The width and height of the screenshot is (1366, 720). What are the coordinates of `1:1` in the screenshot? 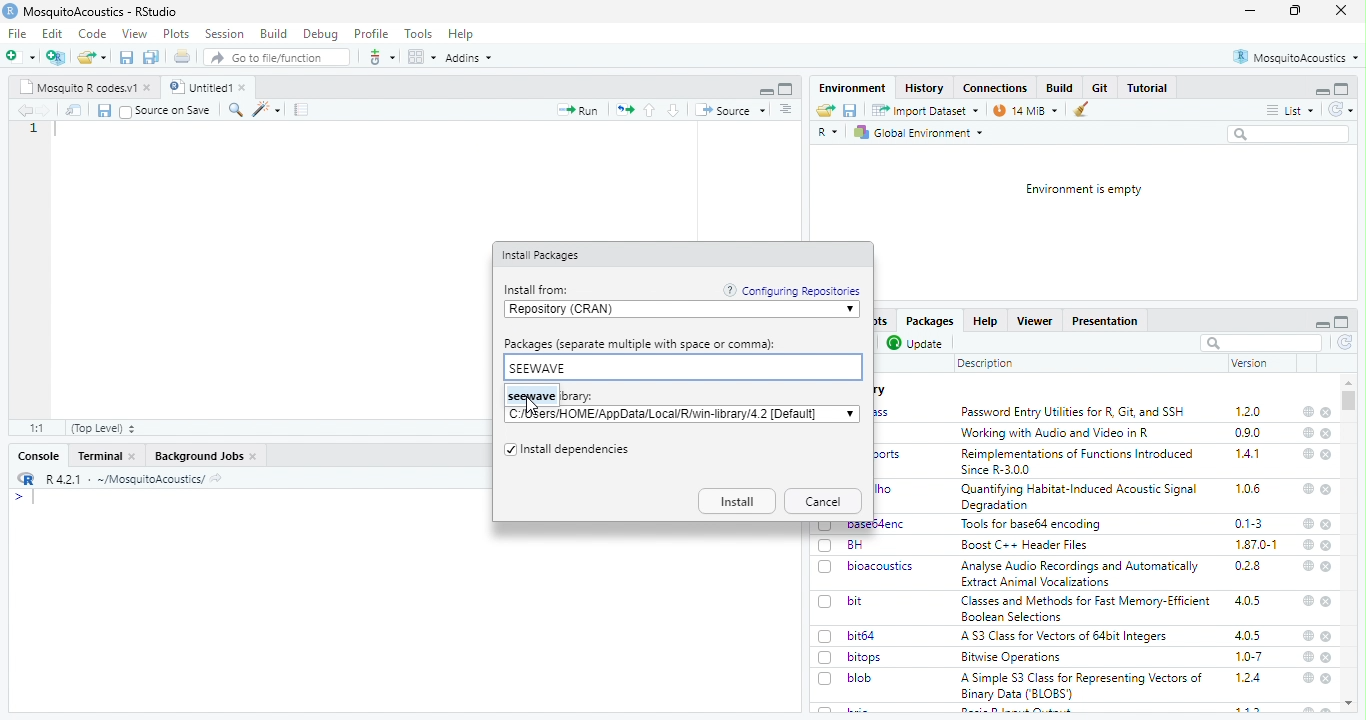 It's located at (39, 428).